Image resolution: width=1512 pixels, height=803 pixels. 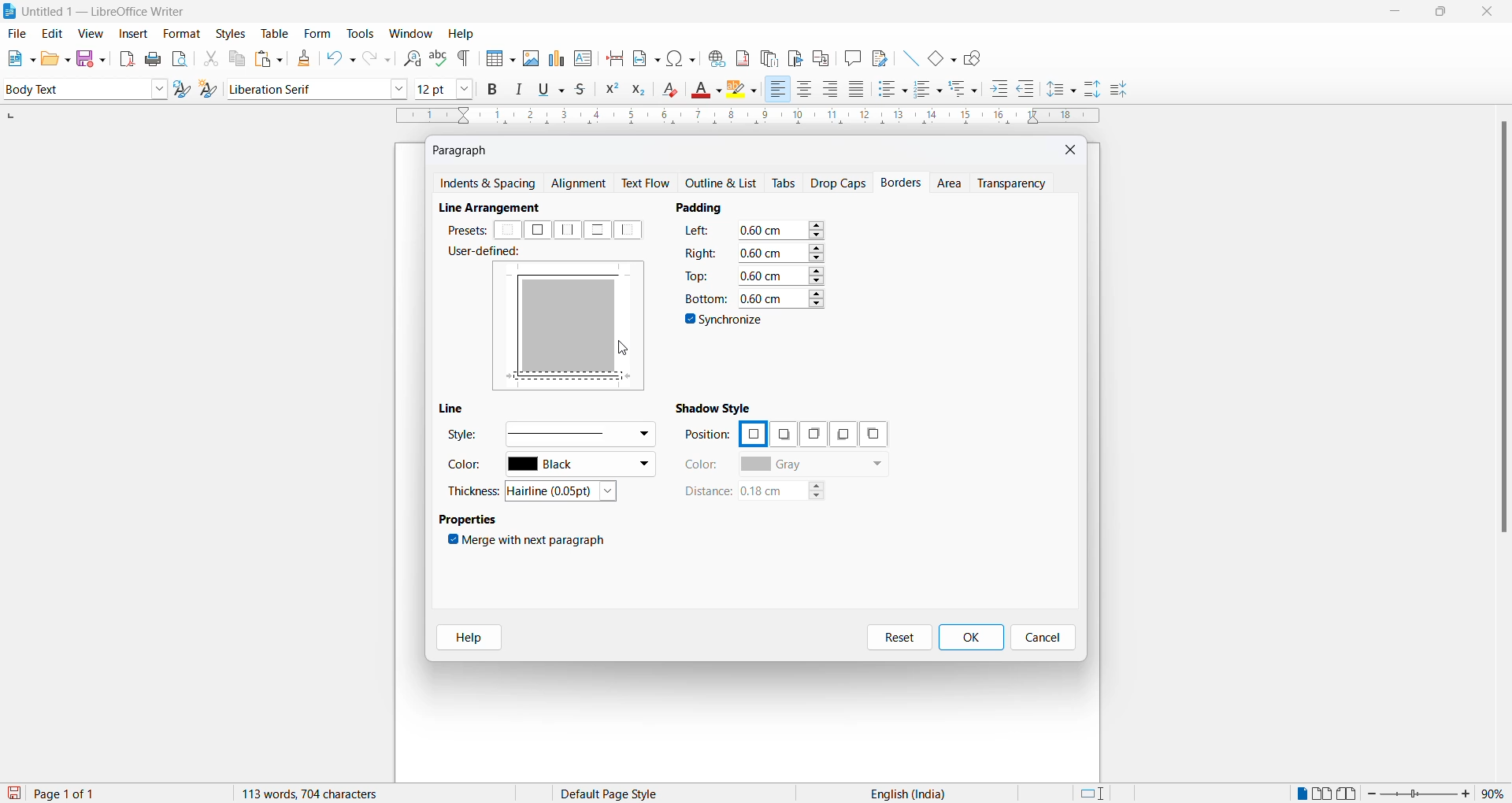 What do you see at coordinates (615, 794) in the screenshot?
I see `page style` at bounding box center [615, 794].